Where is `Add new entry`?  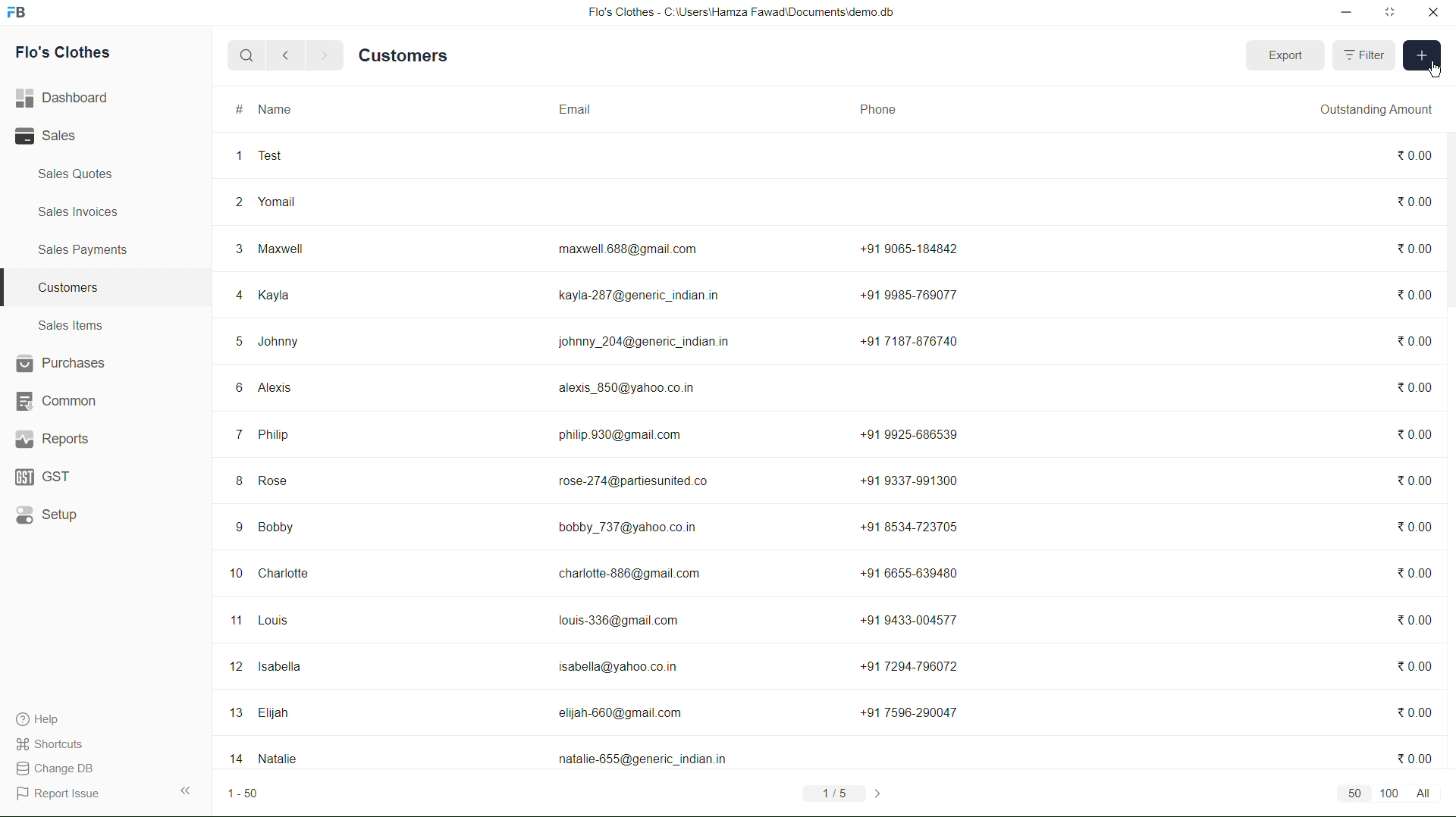
Add new entry is located at coordinates (1423, 57).